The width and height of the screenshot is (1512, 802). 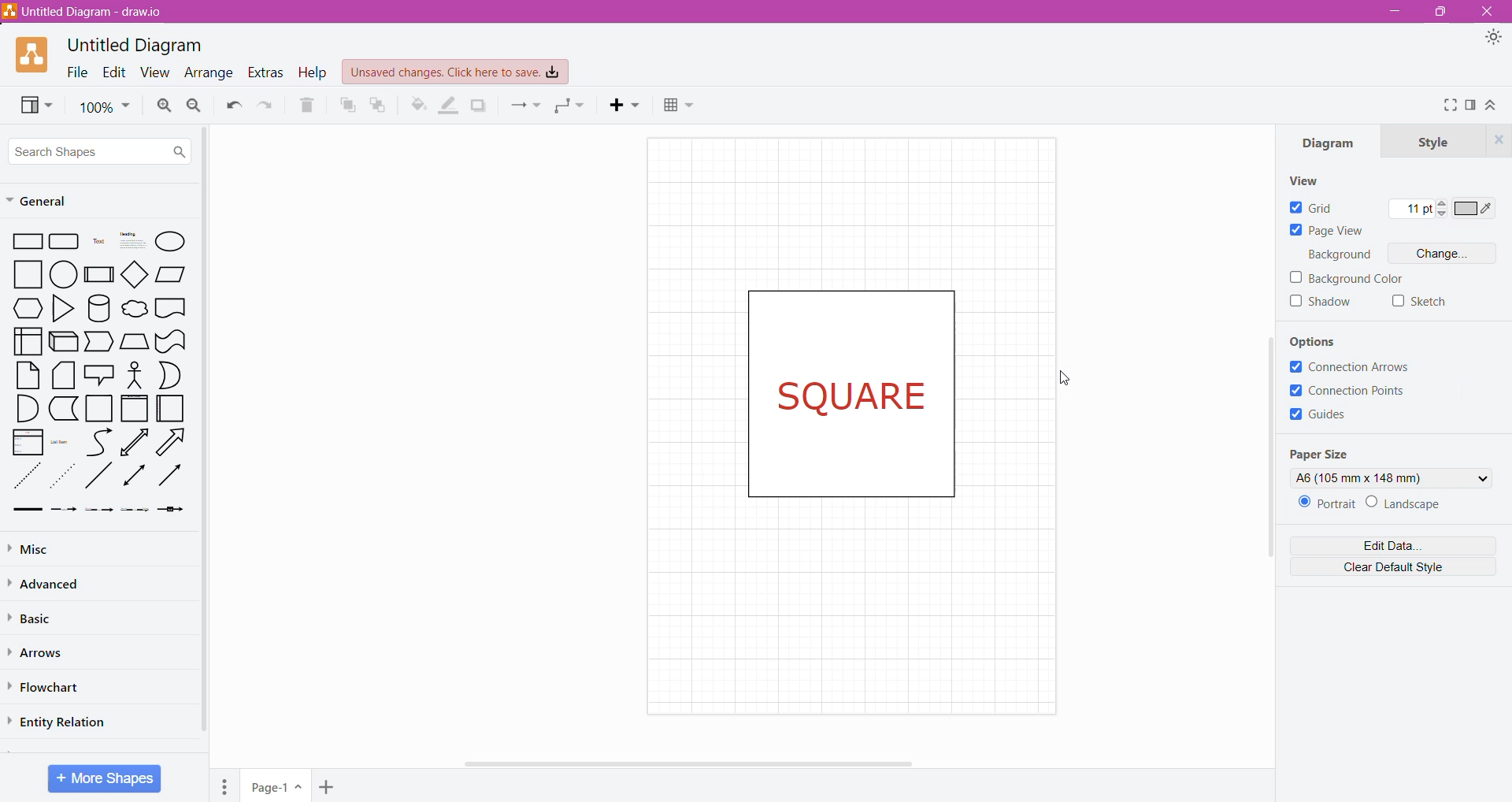 I want to click on Upward line, so click(x=134, y=442).